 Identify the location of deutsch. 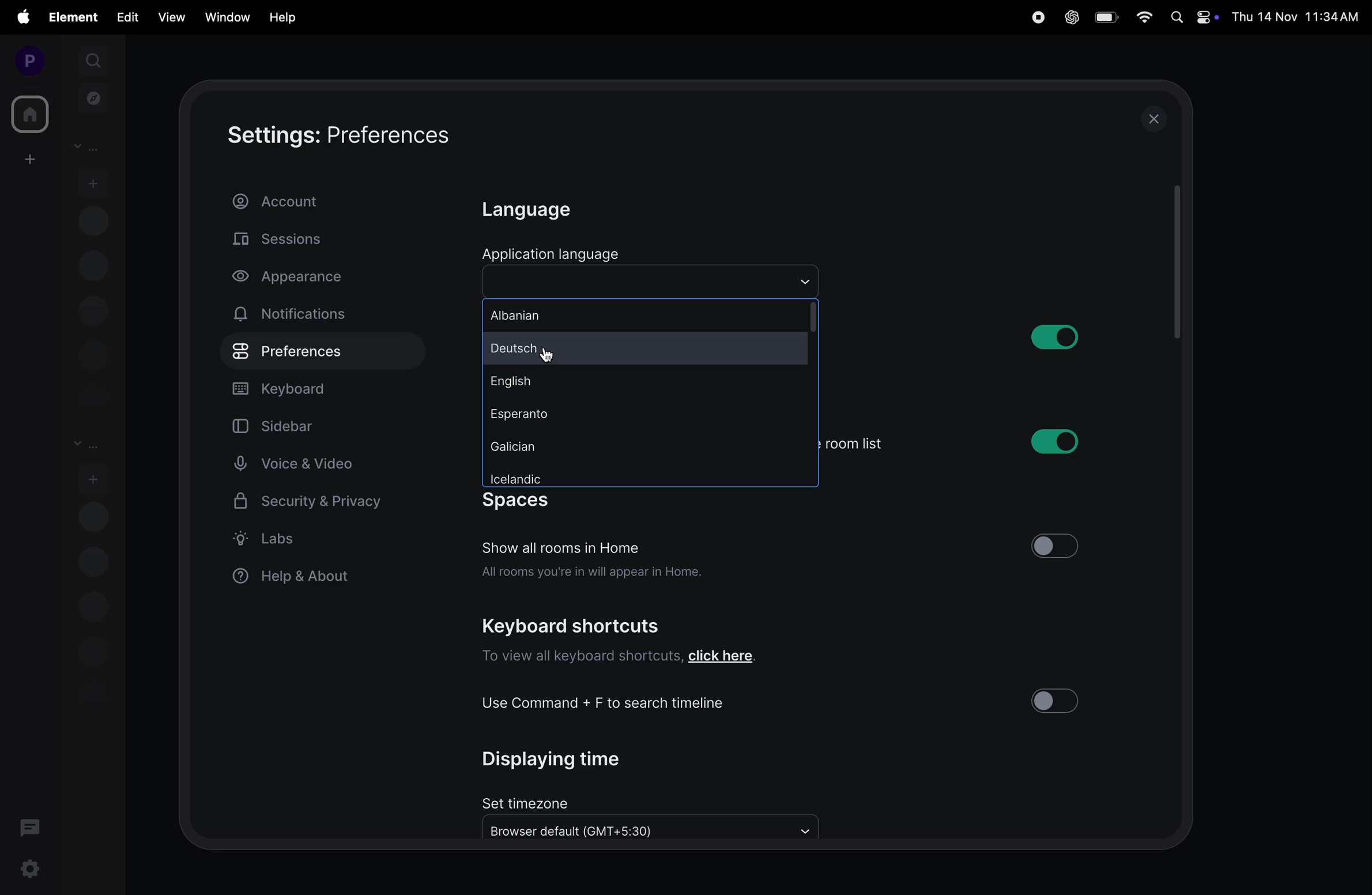
(645, 351).